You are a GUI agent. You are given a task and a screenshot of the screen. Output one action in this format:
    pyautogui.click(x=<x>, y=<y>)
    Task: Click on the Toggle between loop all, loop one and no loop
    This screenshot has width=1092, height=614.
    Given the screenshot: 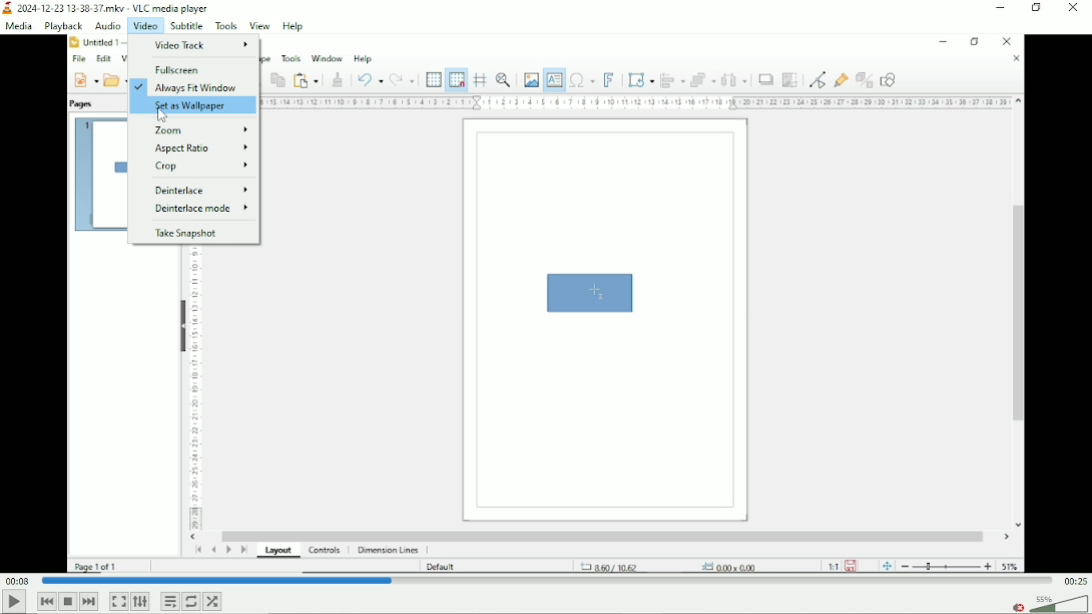 What is the action you would take?
    pyautogui.click(x=190, y=601)
    